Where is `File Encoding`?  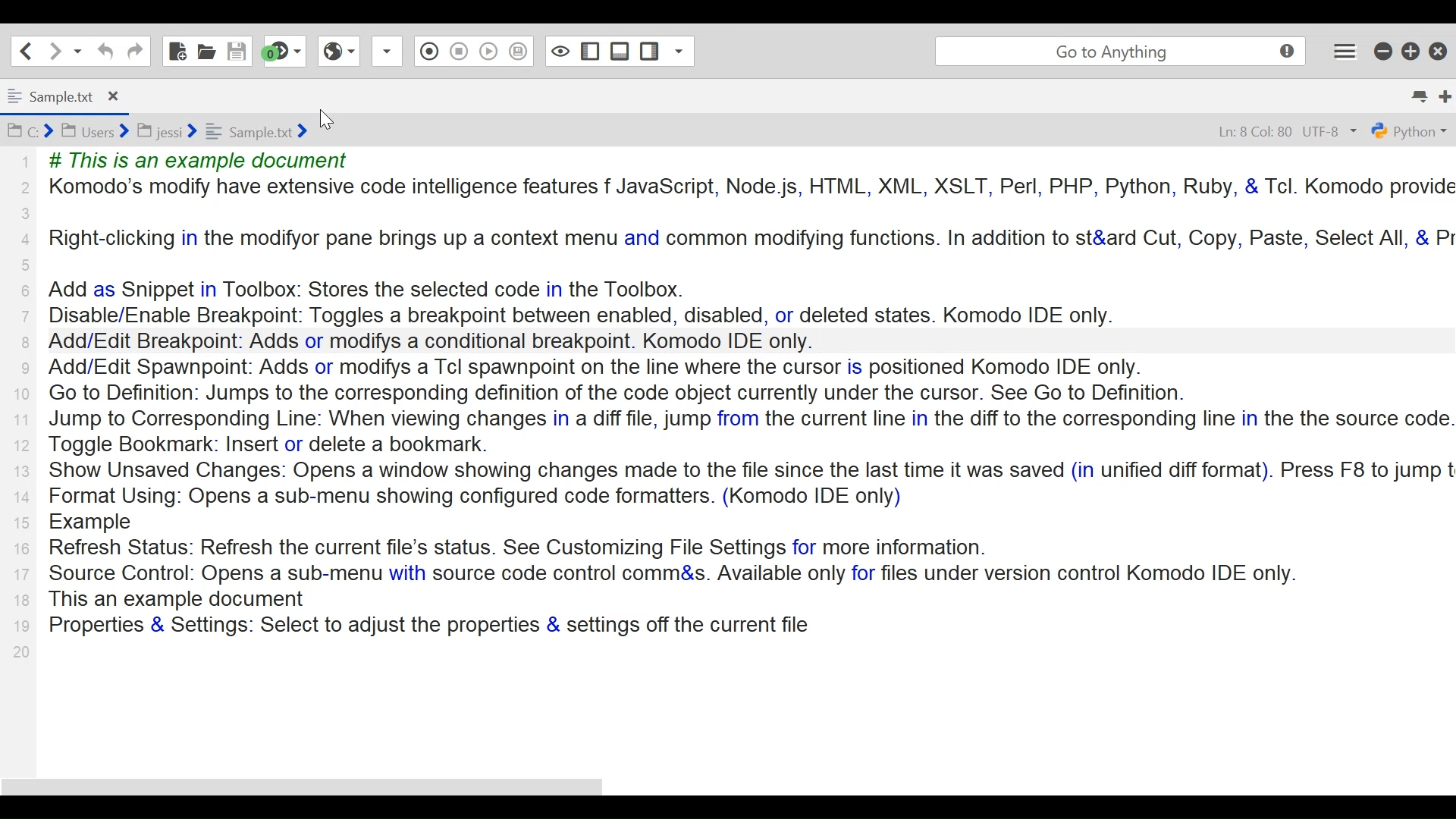
File Encoding is located at coordinates (1334, 132).